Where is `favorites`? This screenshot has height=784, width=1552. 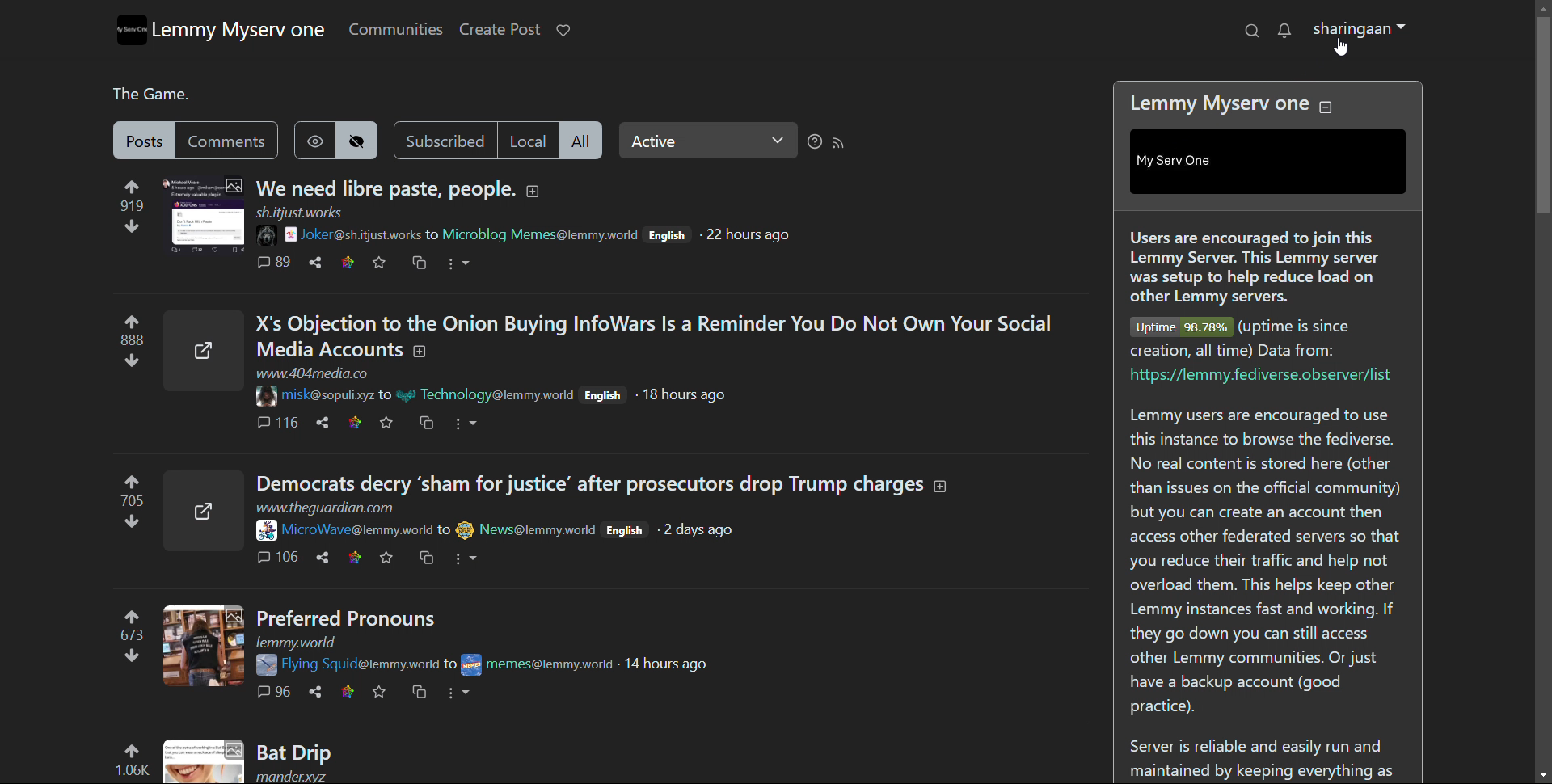
favorites is located at coordinates (390, 556).